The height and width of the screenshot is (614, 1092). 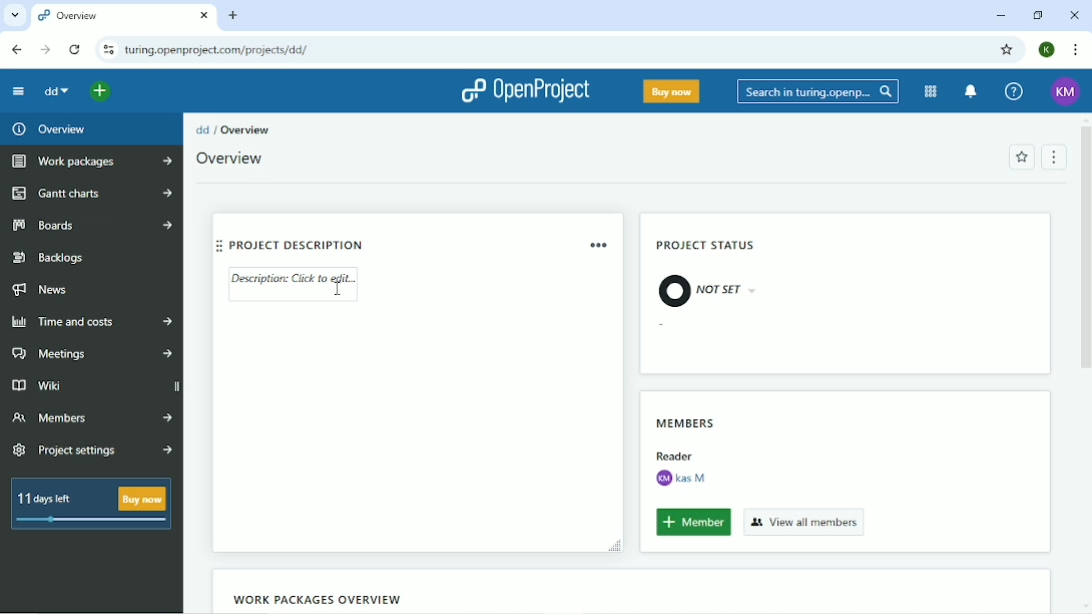 I want to click on overview, so click(x=124, y=17).